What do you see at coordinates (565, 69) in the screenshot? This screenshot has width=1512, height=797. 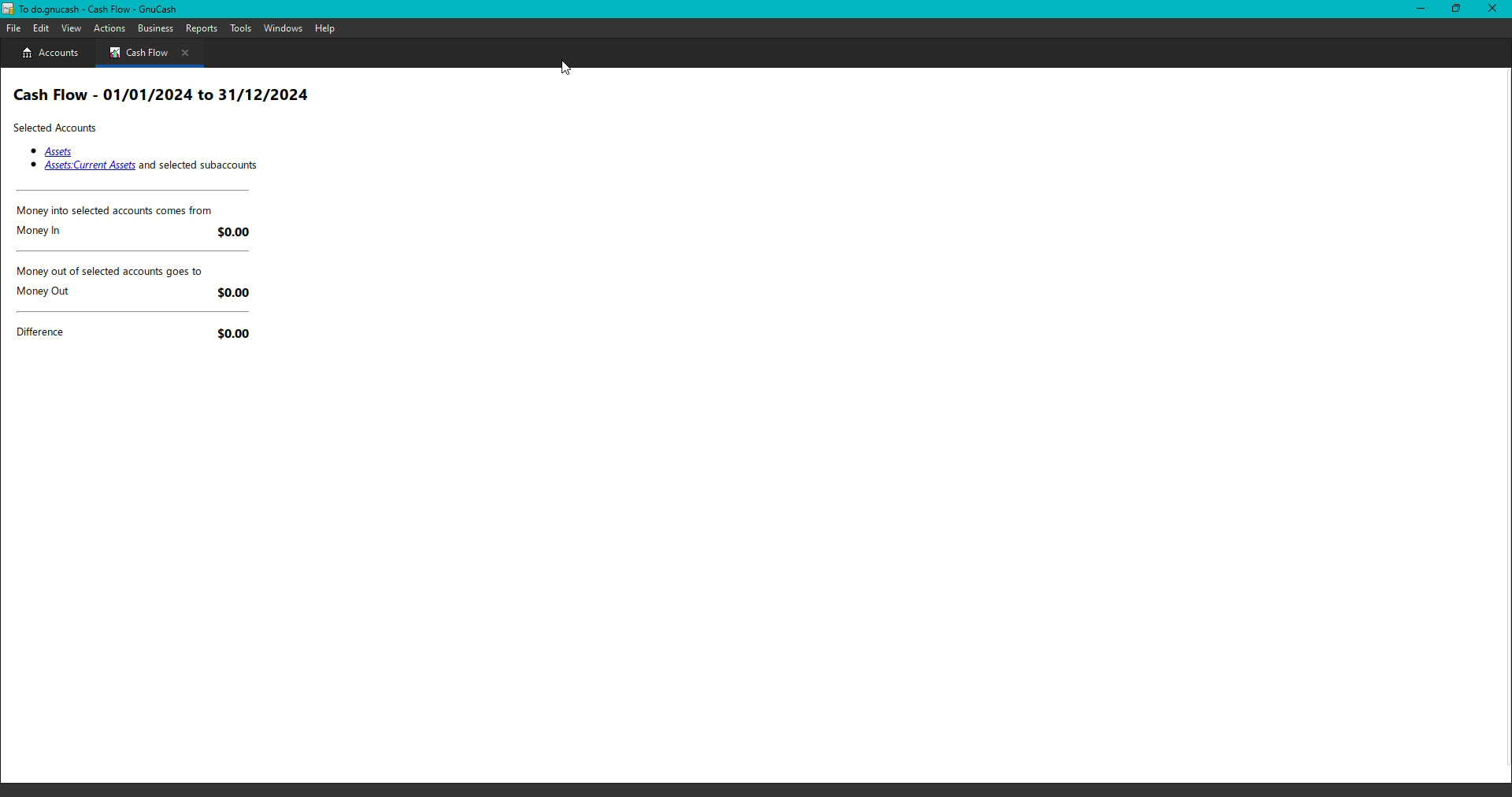 I see `Cursor` at bounding box center [565, 69].